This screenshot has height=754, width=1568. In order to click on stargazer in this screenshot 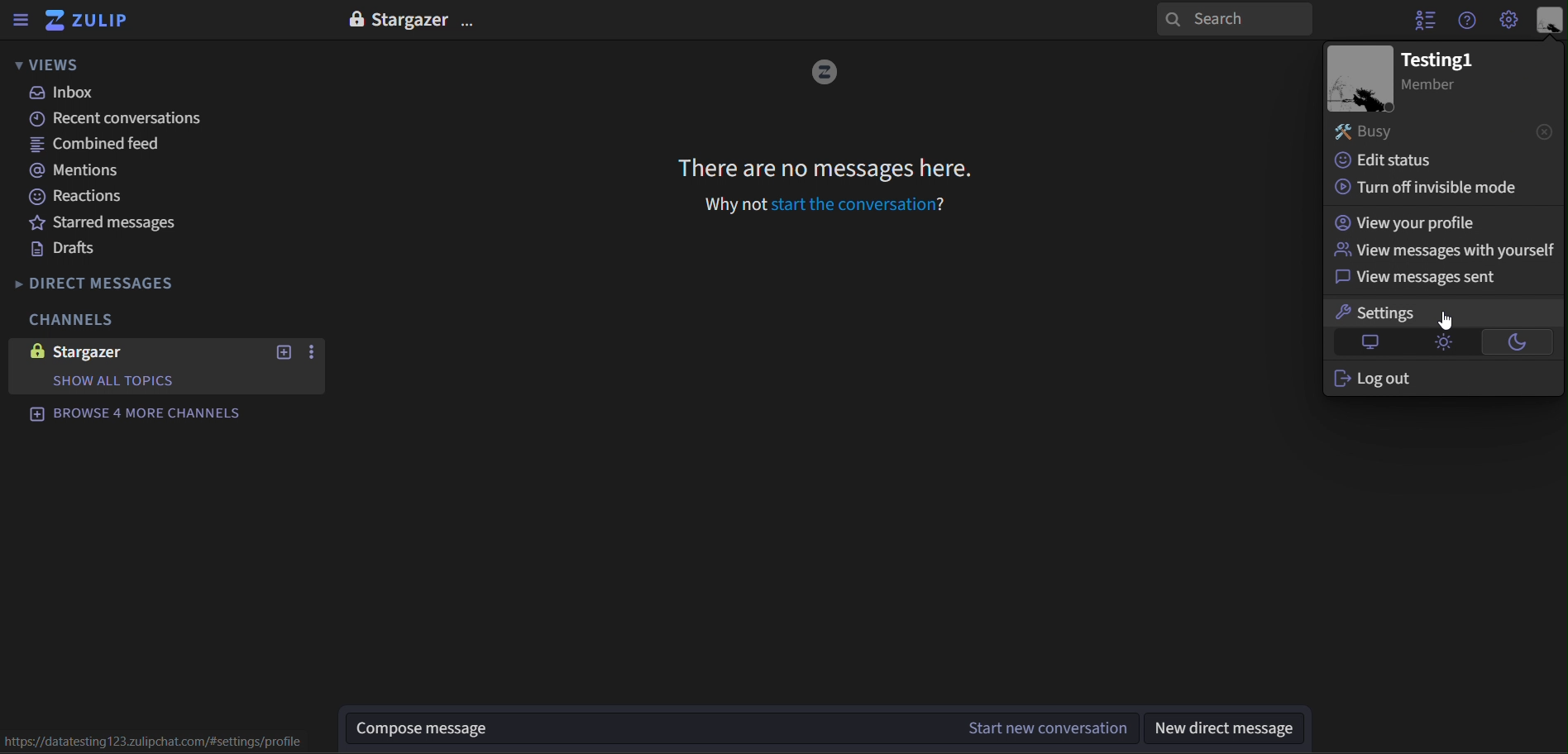, I will do `click(122, 351)`.